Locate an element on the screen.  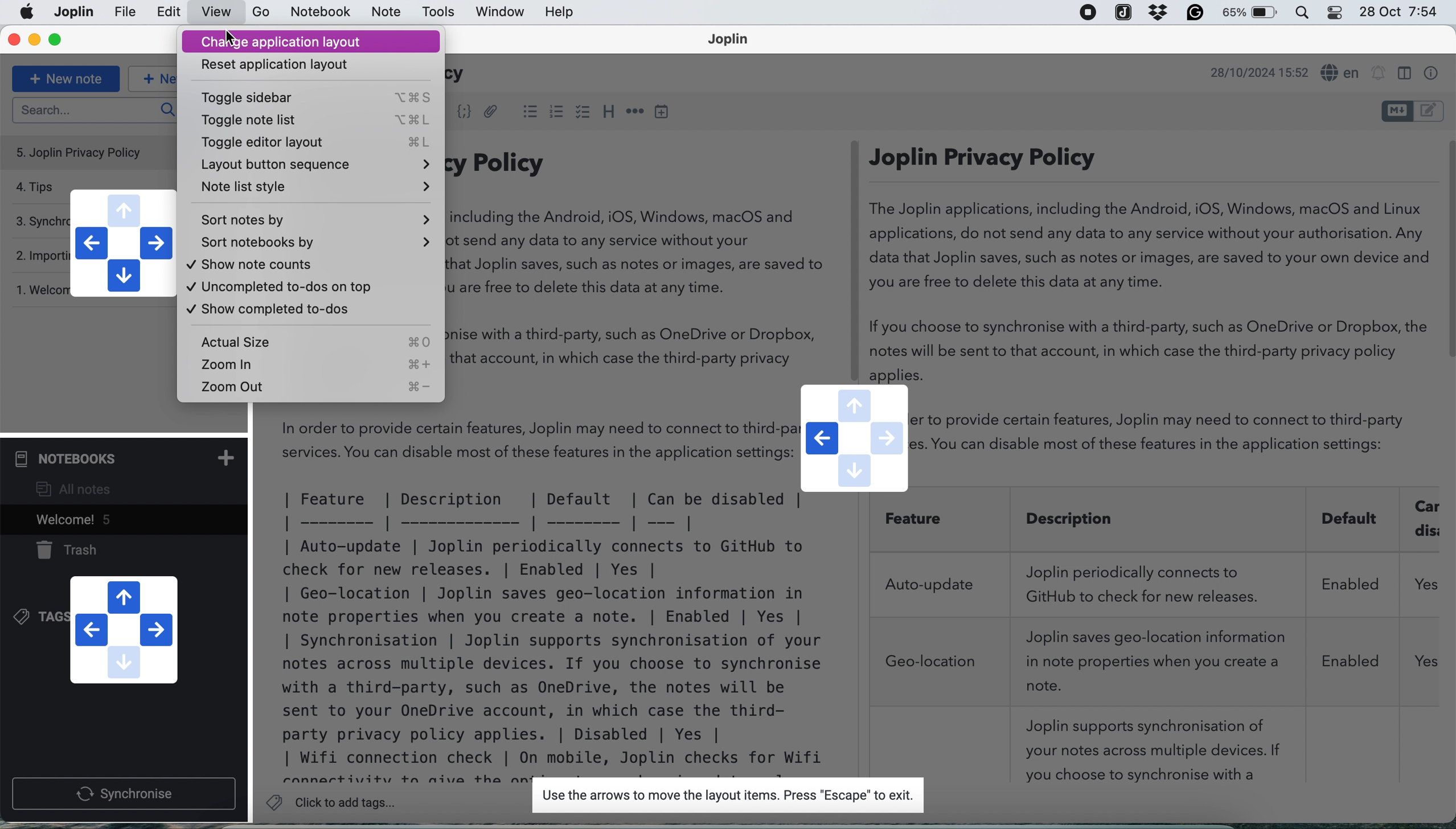
Joplin is located at coordinates (735, 41).